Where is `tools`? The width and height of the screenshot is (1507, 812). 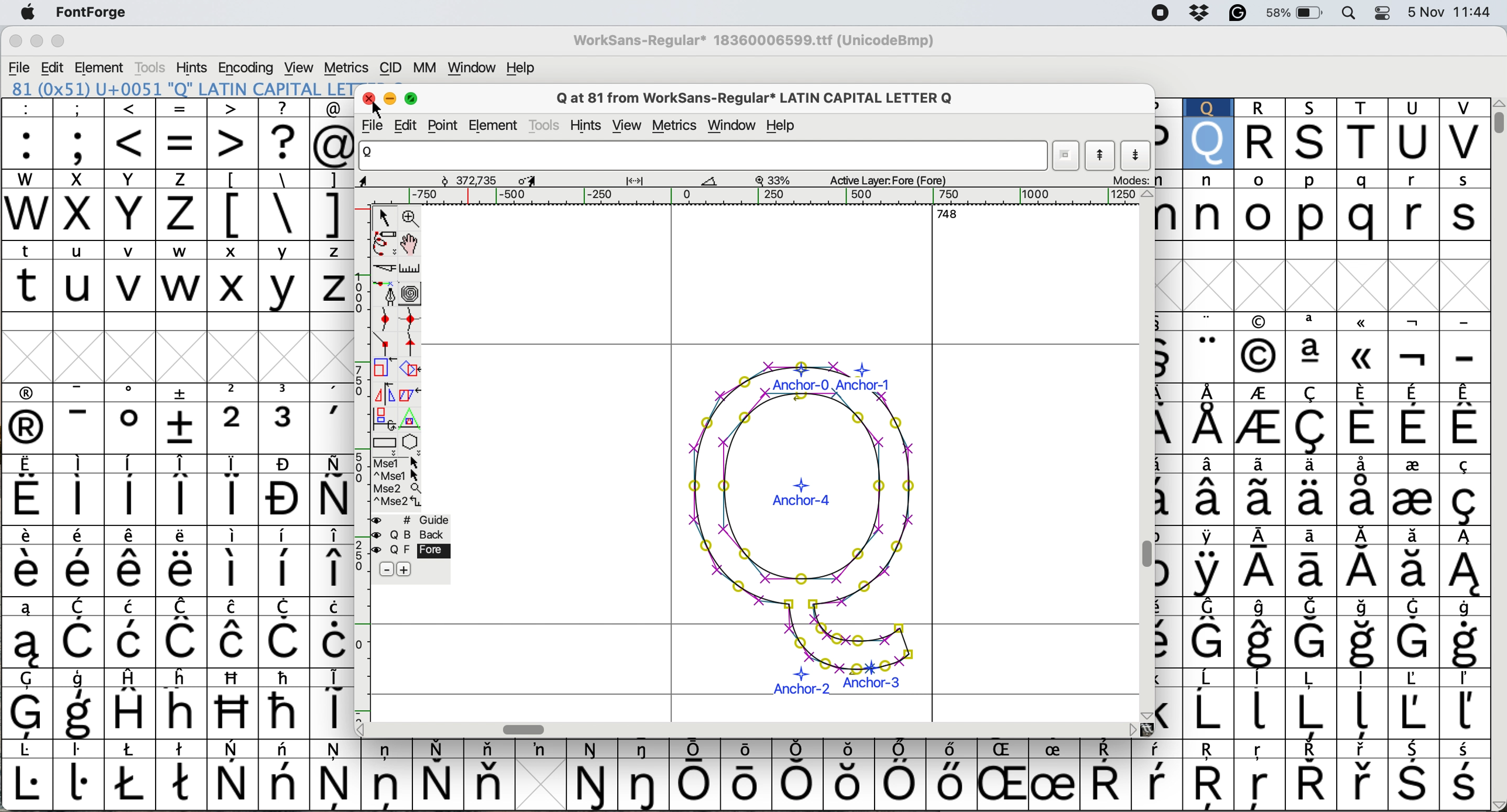 tools is located at coordinates (153, 66).